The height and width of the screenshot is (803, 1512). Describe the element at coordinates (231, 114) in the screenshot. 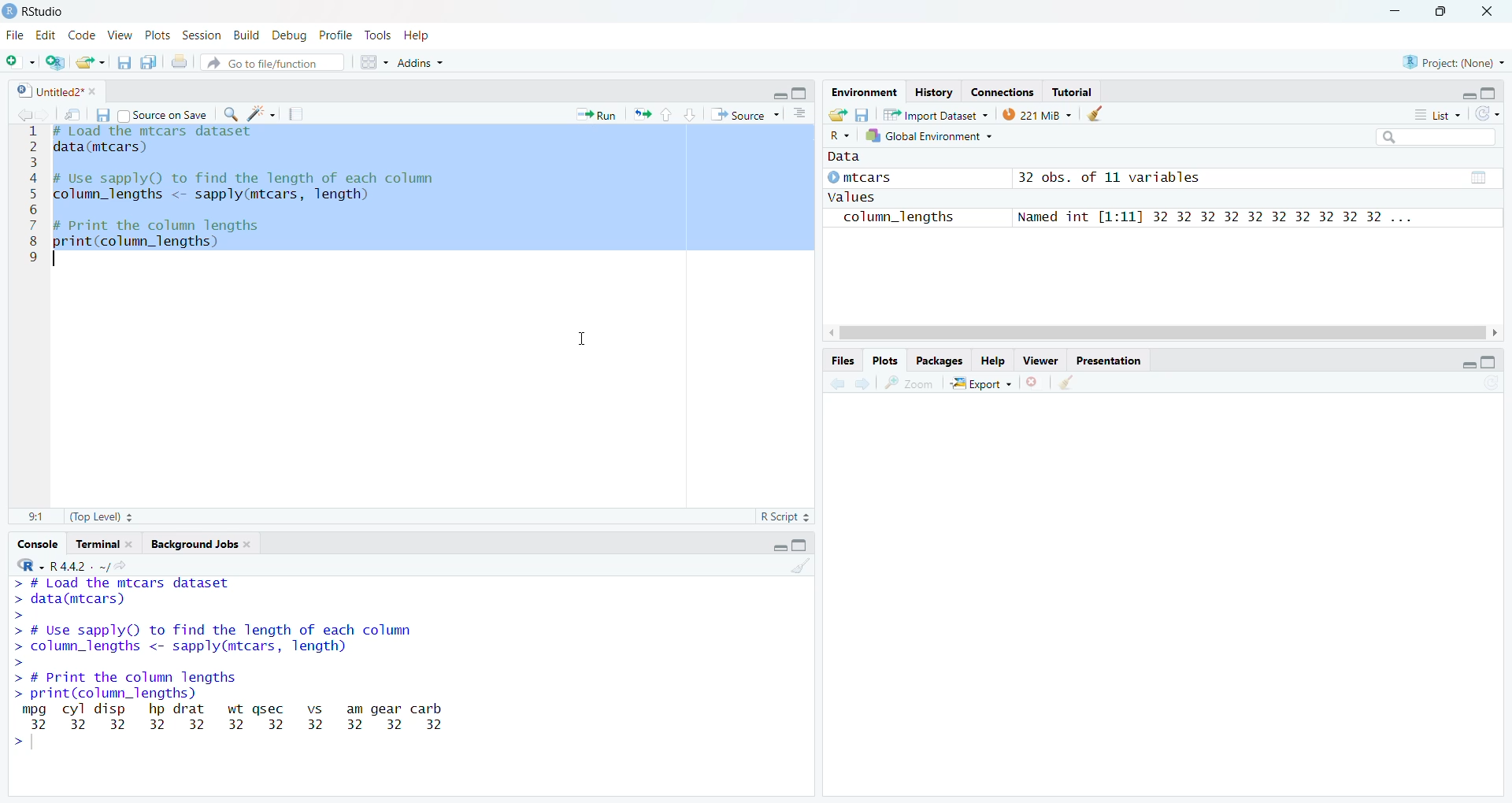

I see `Find and Replace` at that location.